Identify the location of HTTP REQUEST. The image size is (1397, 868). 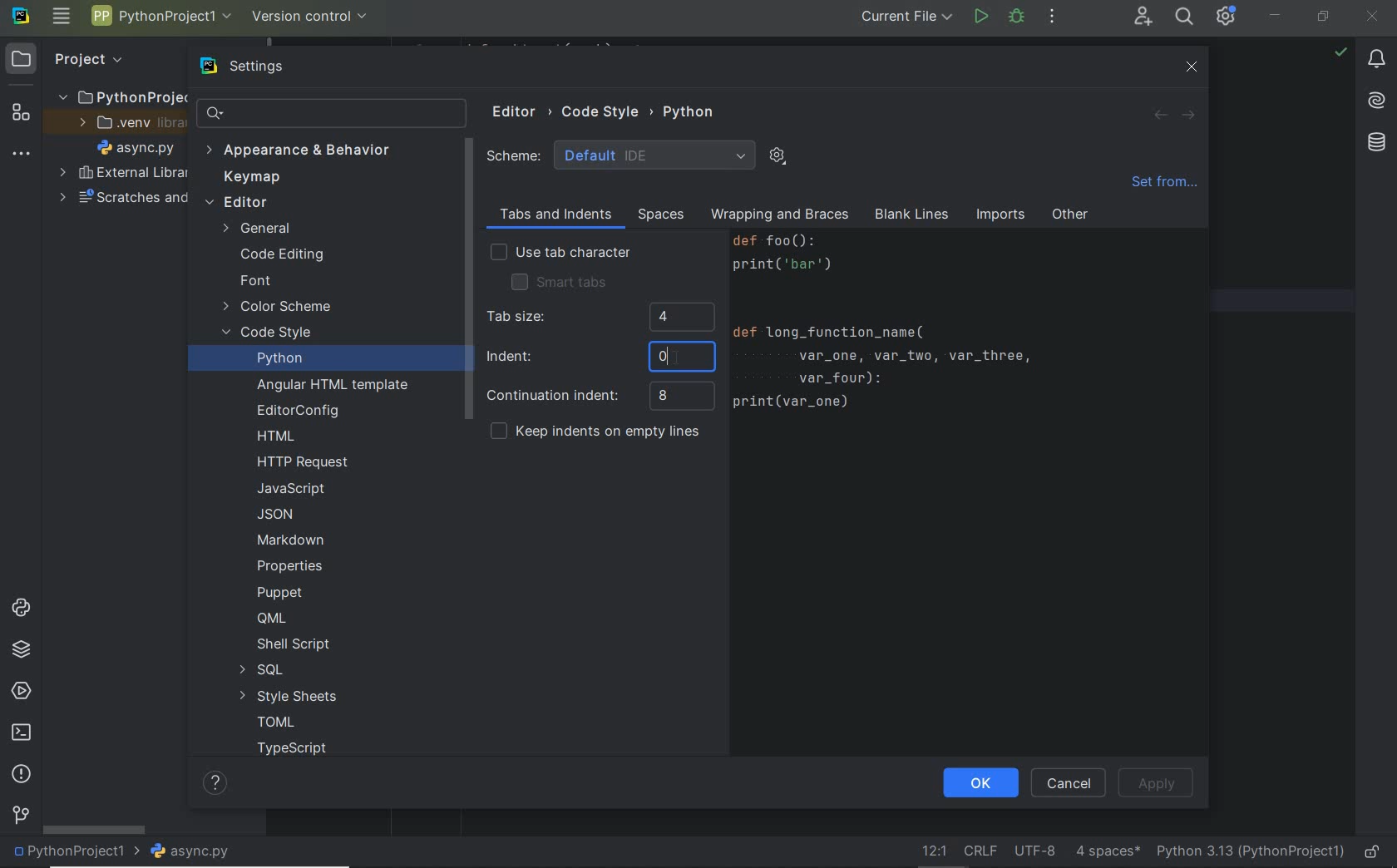
(305, 462).